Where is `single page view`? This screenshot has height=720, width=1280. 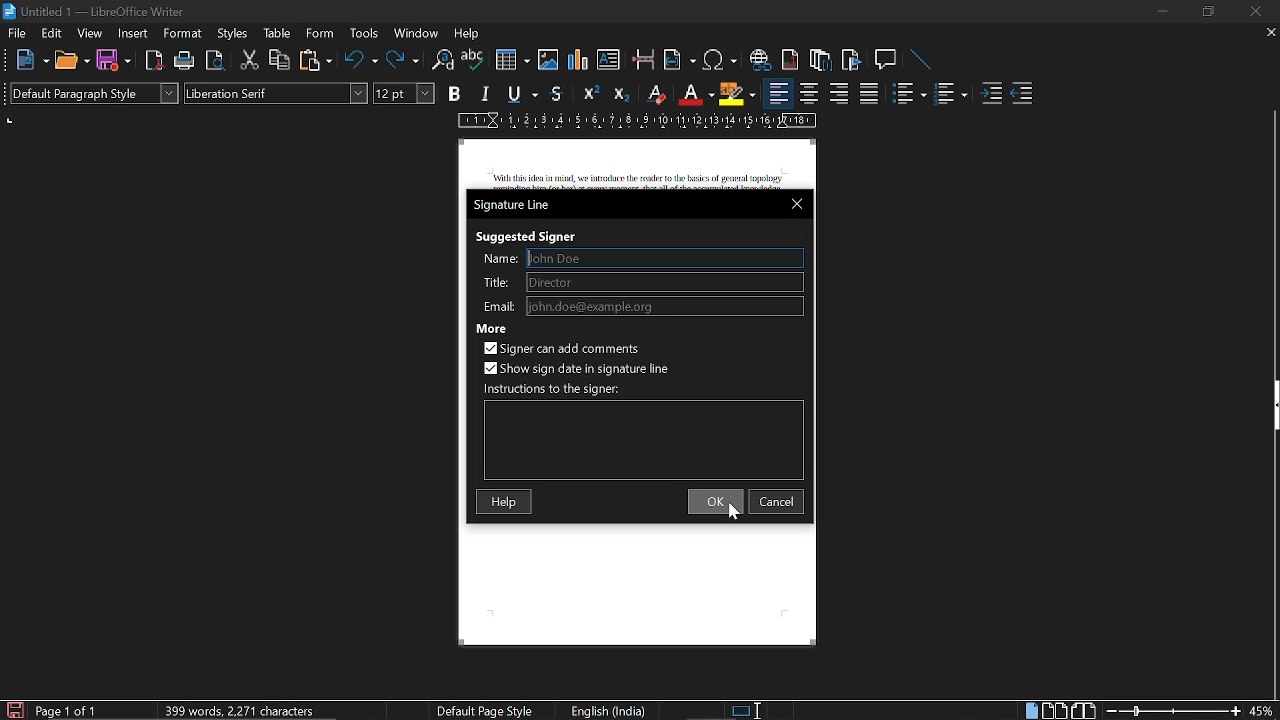 single page view is located at coordinates (1030, 711).